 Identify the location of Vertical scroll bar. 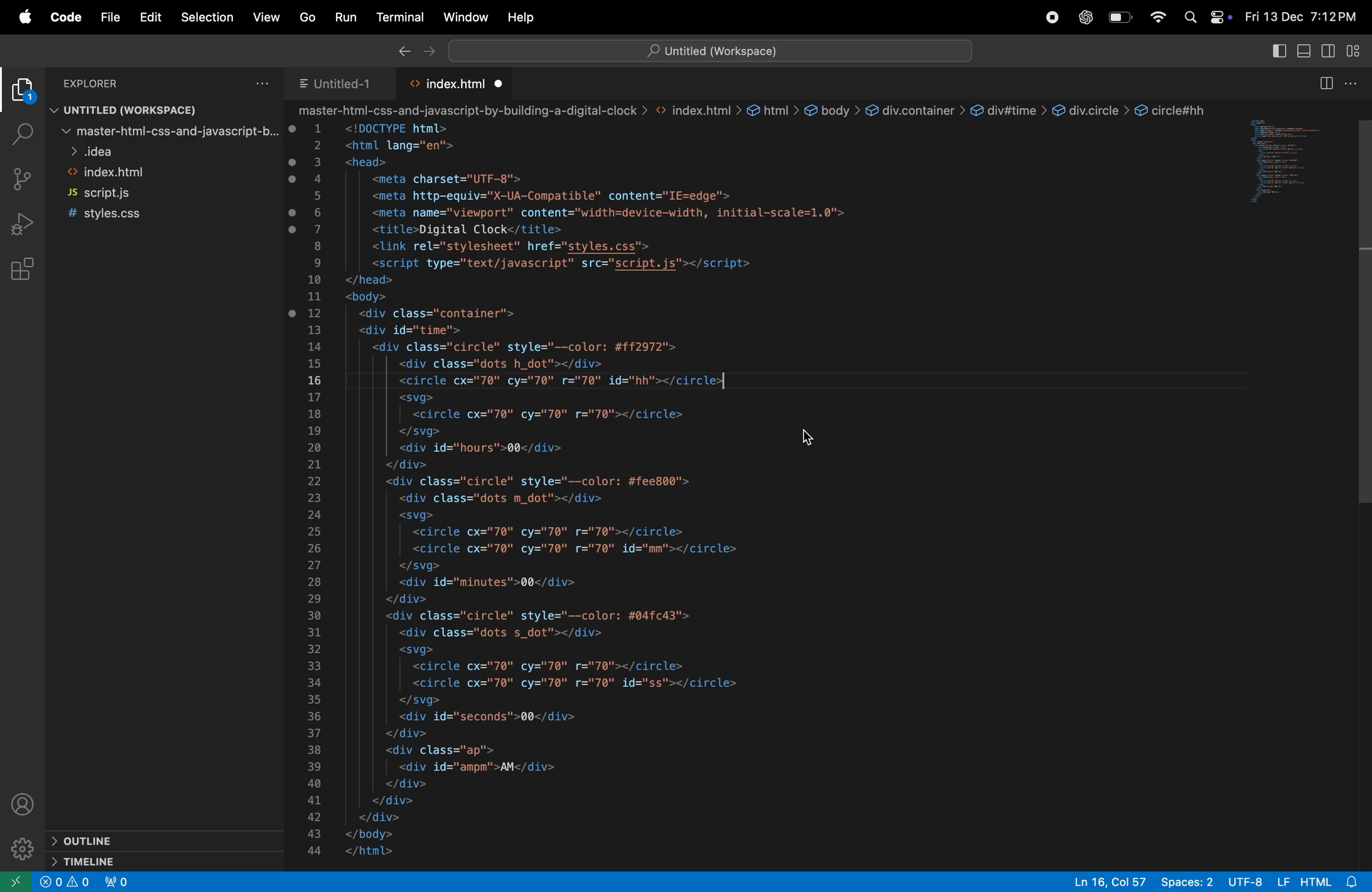
(1363, 307).